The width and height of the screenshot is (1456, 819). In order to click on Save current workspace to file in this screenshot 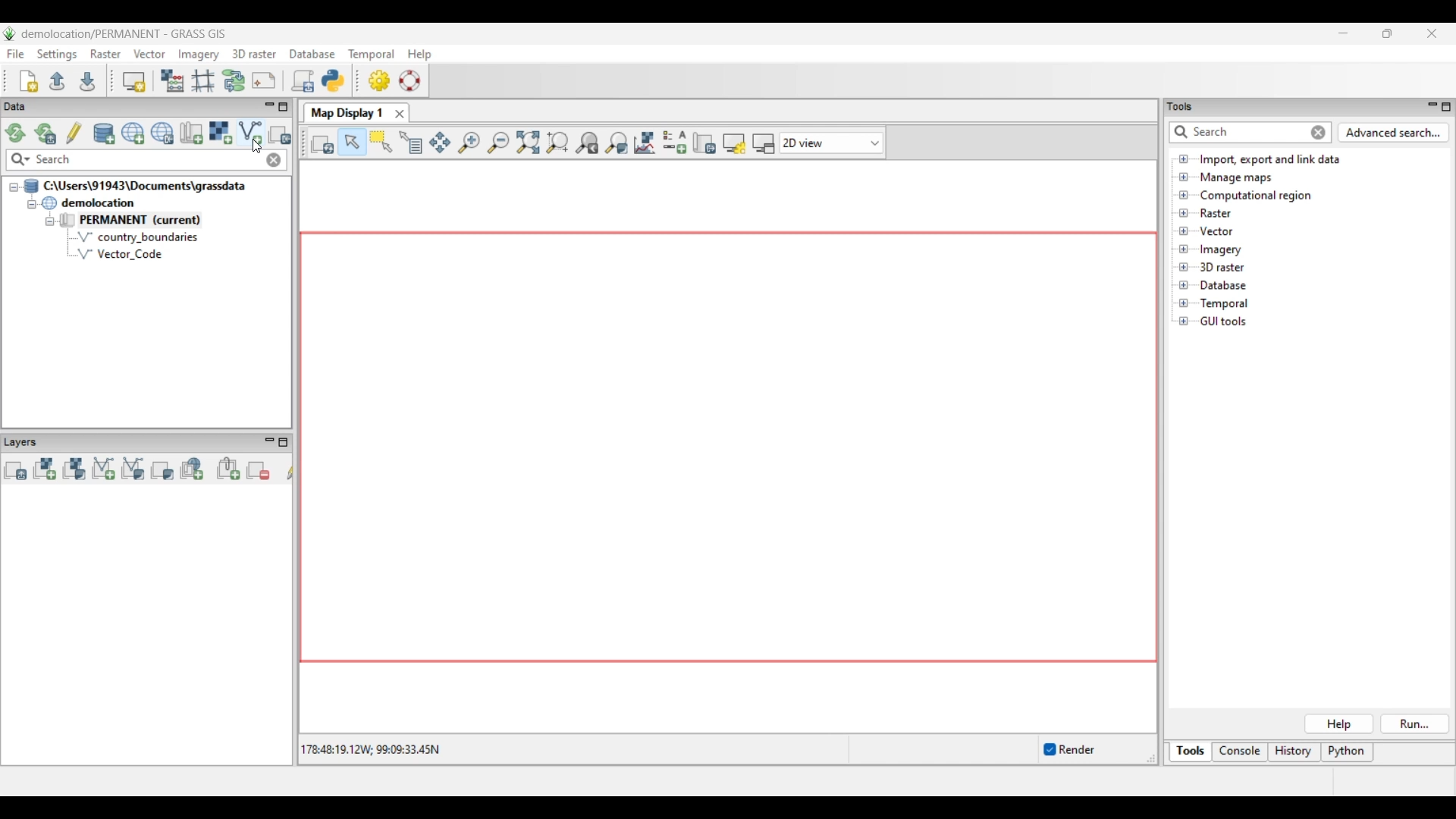, I will do `click(87, 80)`.